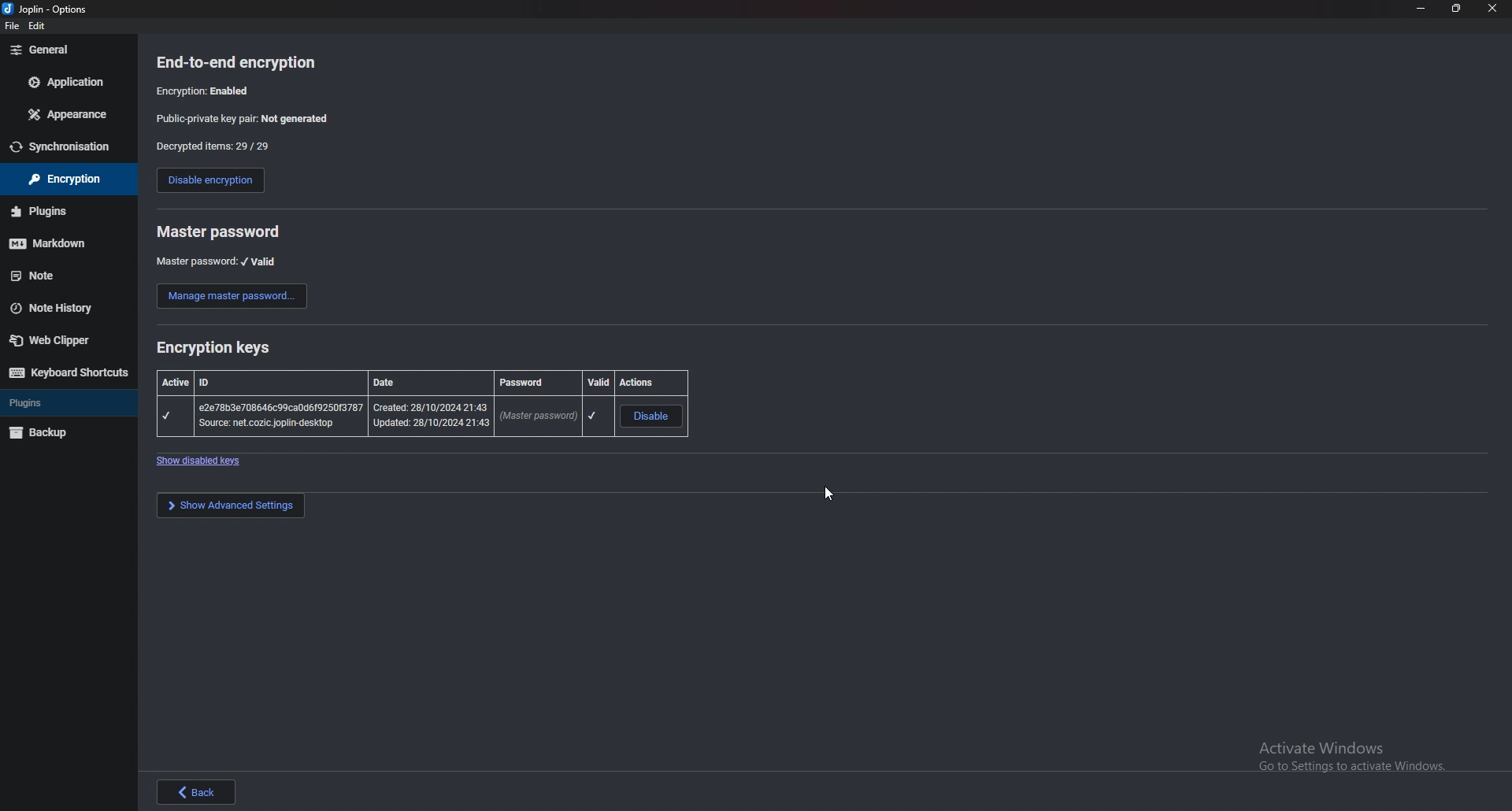 The image size is (1512, 811). Describe the element at coordinates (50, 9) in the screenshot. I see `` at that location.